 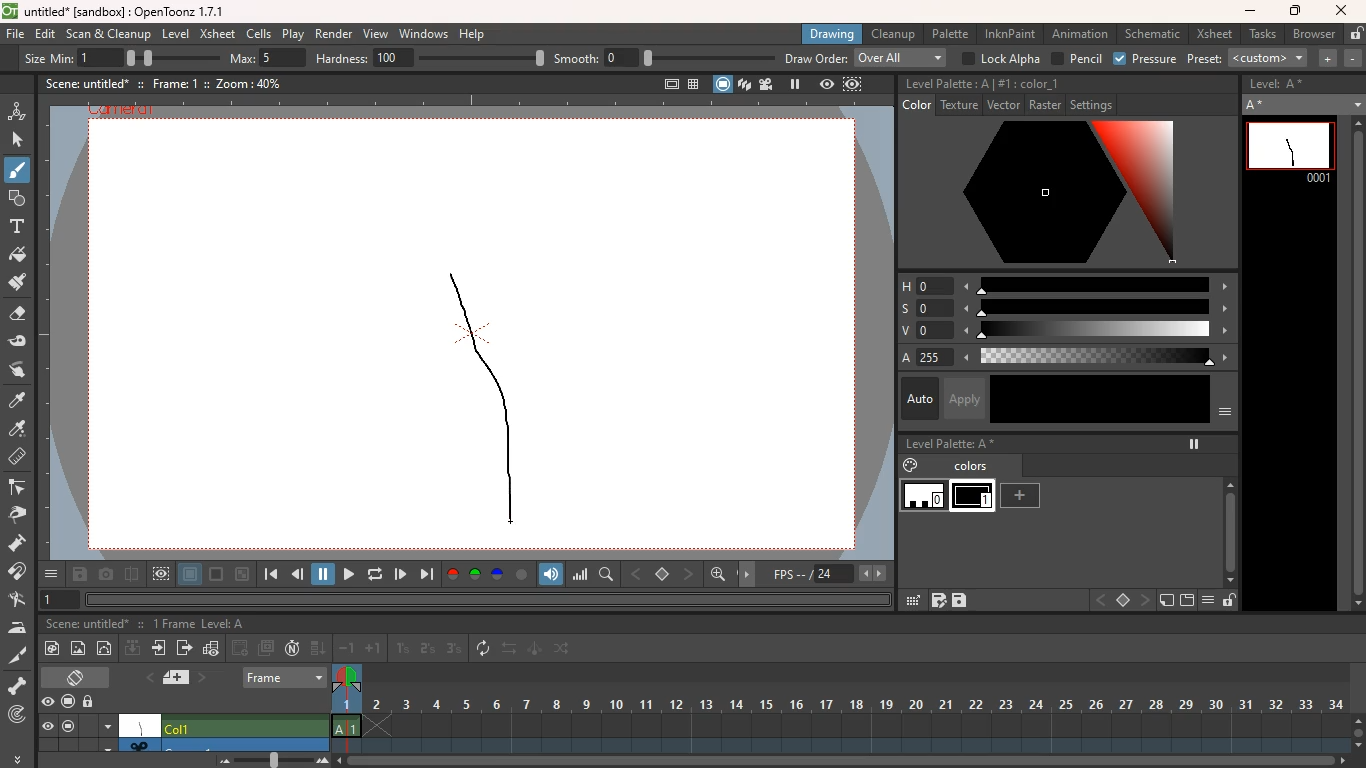 I want to click on stop, so click(x=1122, y=601).